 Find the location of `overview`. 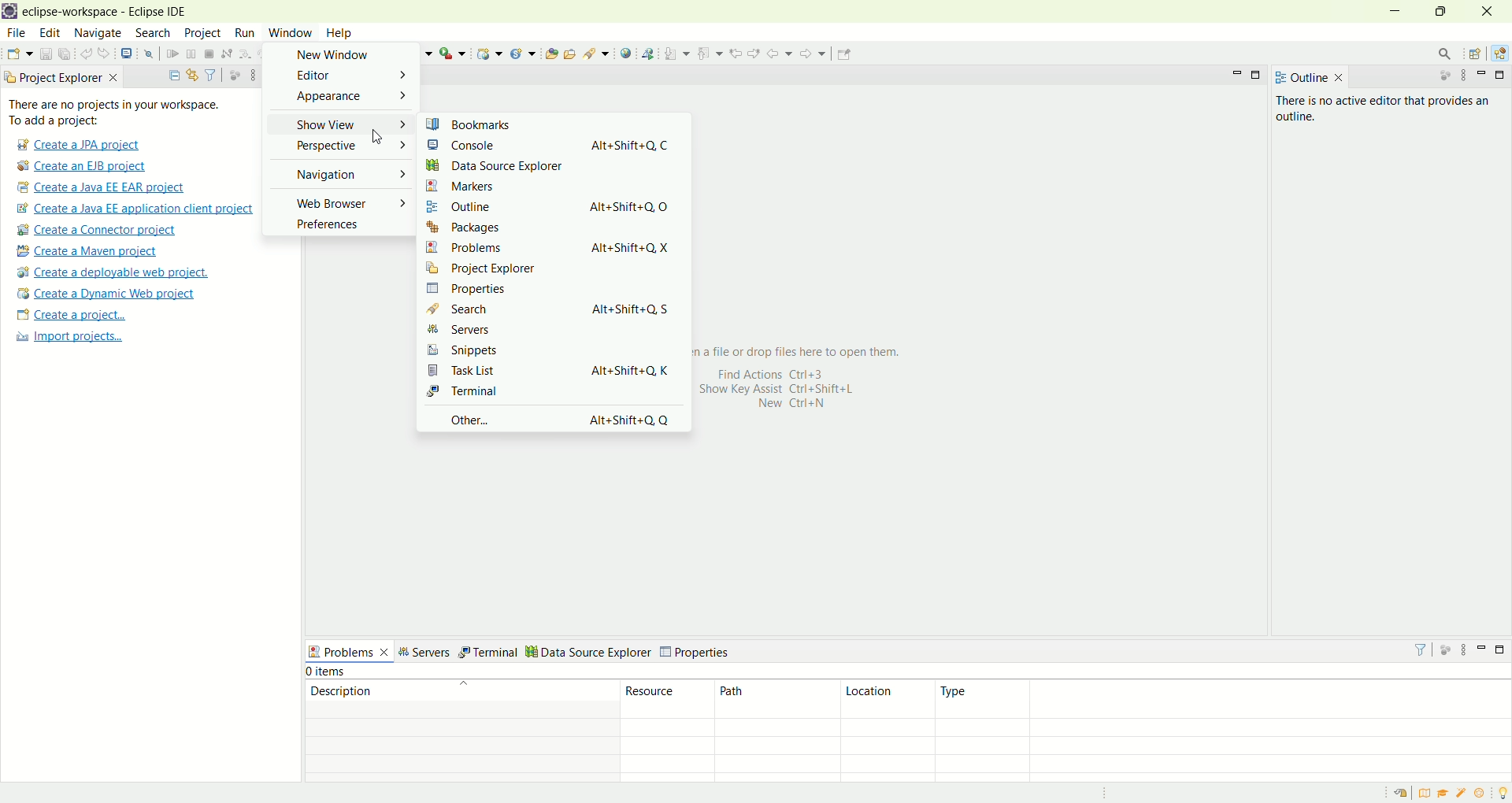

overview is located at coordinates (1422, 794).